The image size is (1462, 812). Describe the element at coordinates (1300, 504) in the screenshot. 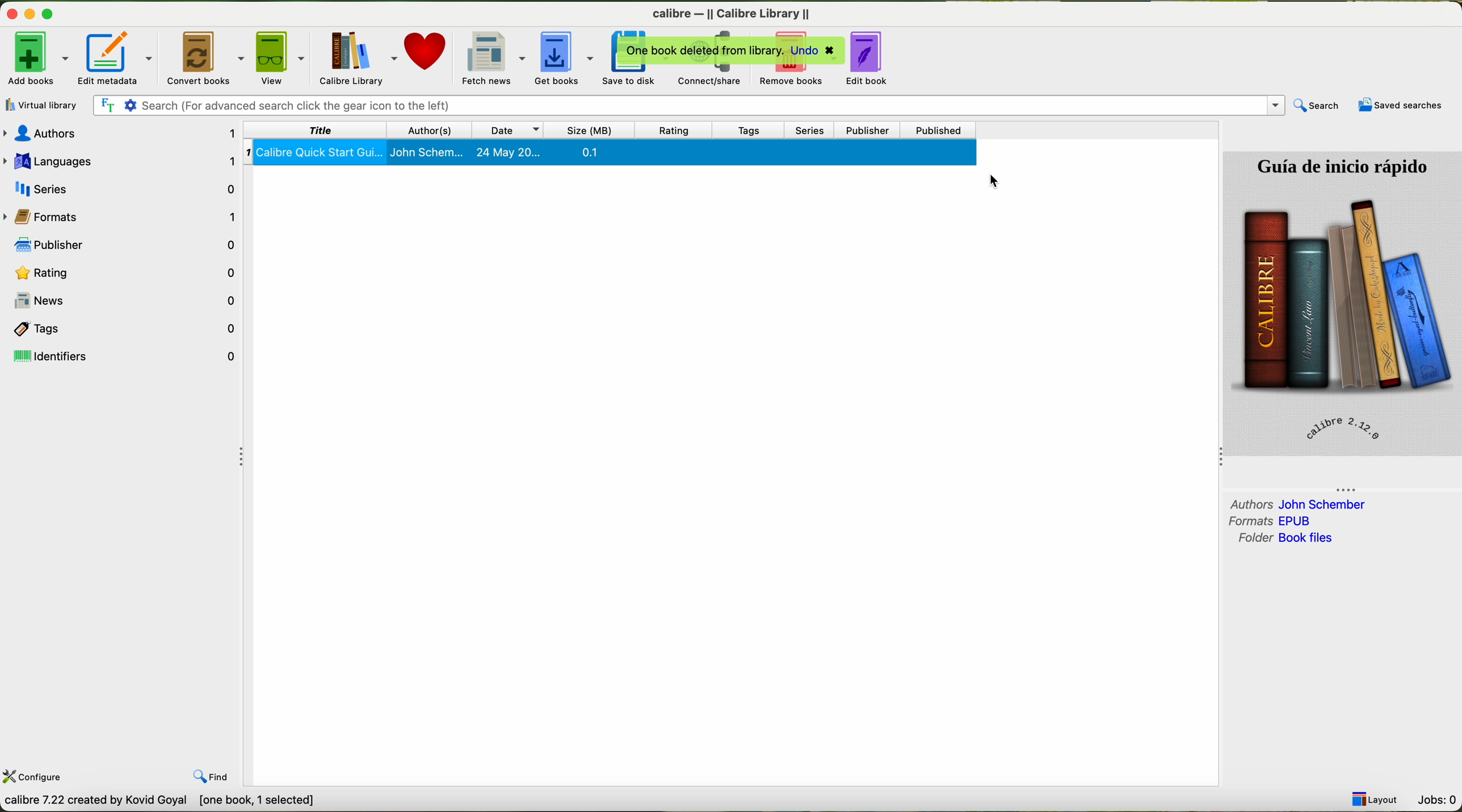

I see `authors` at that location.